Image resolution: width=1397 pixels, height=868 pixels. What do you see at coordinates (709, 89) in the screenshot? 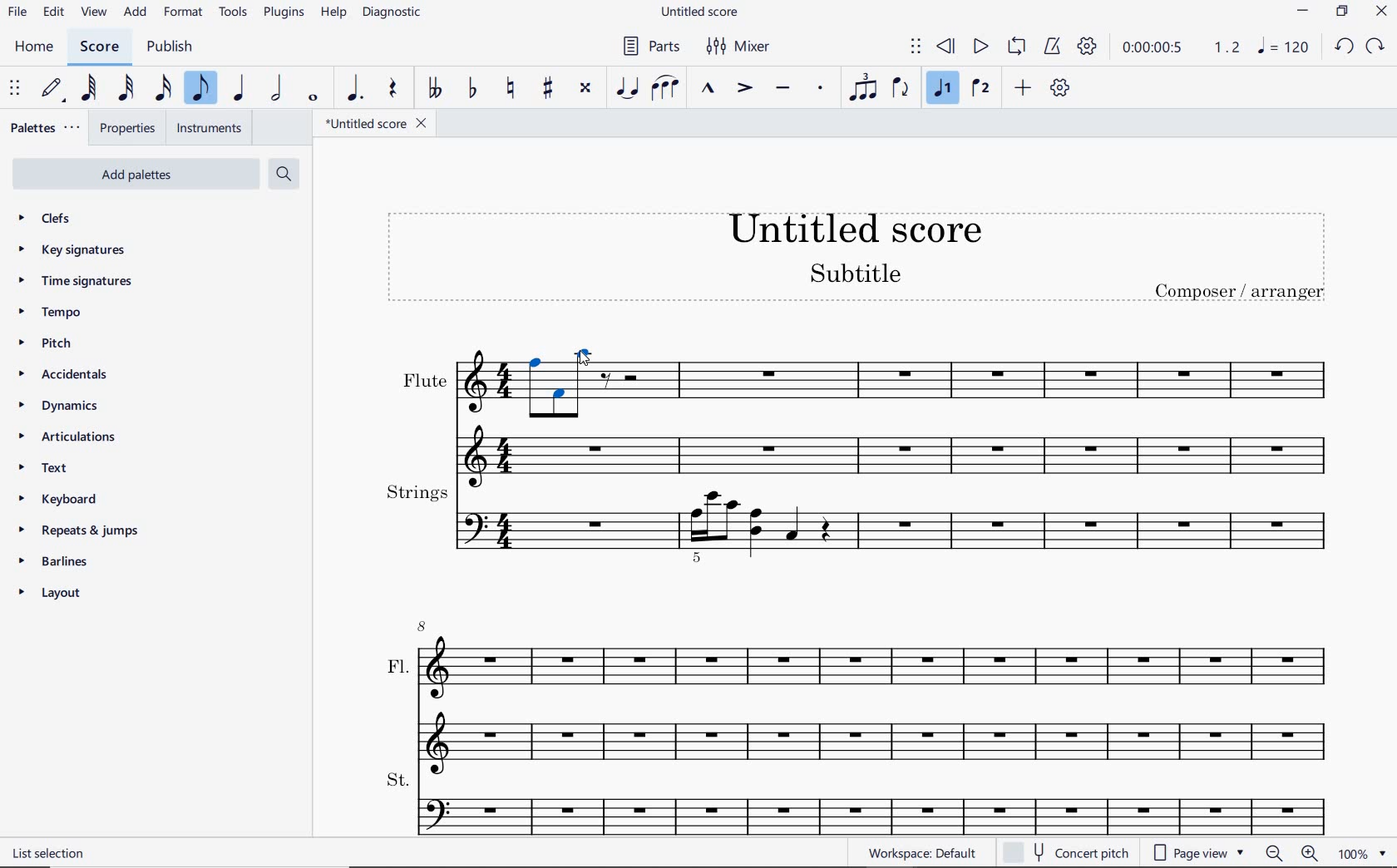
I see `MARCATO` at bounding box center [709, 89].